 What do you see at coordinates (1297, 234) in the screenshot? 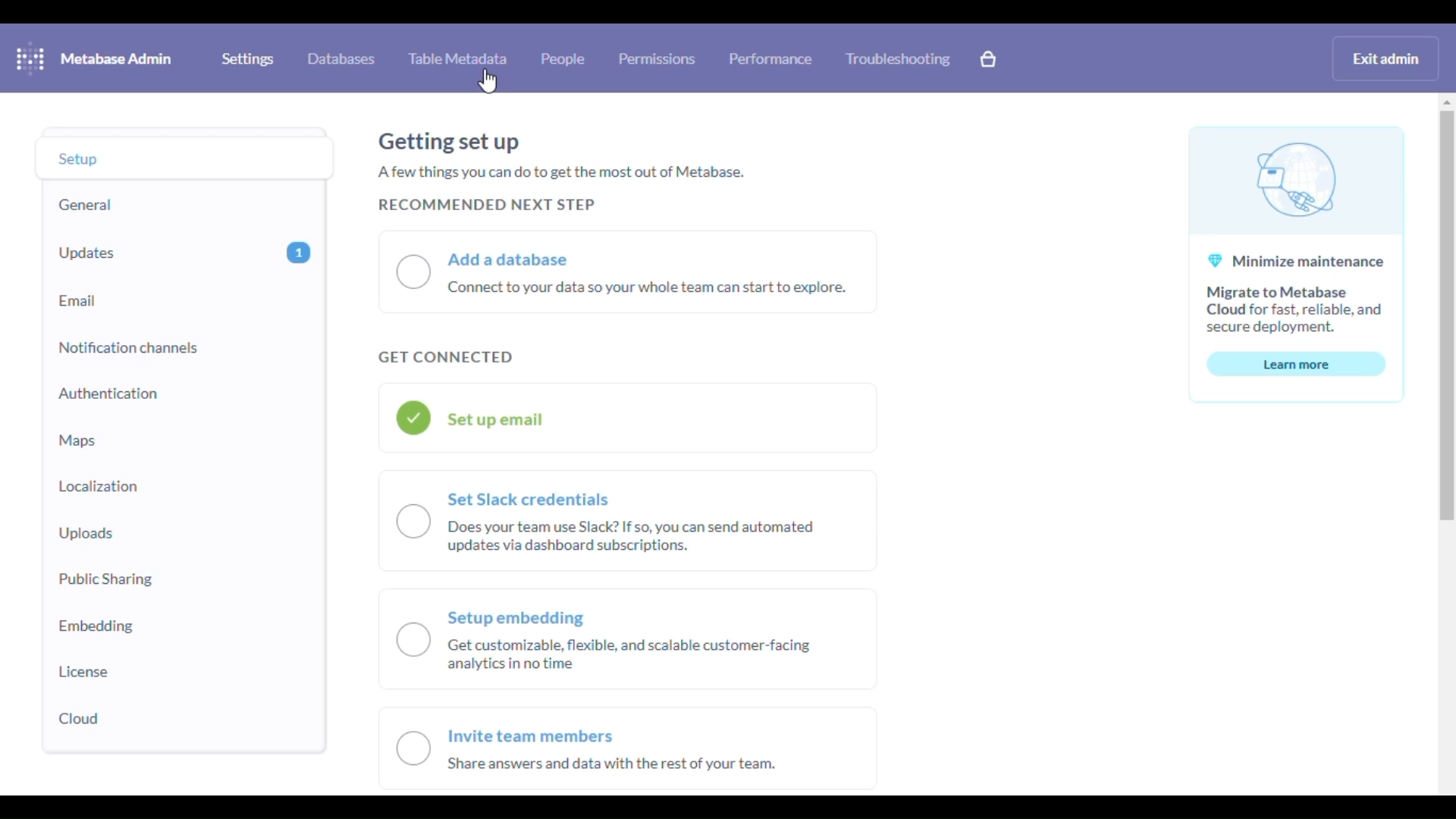
I see `minimize maintenance` at bounding box center [1297, 234].